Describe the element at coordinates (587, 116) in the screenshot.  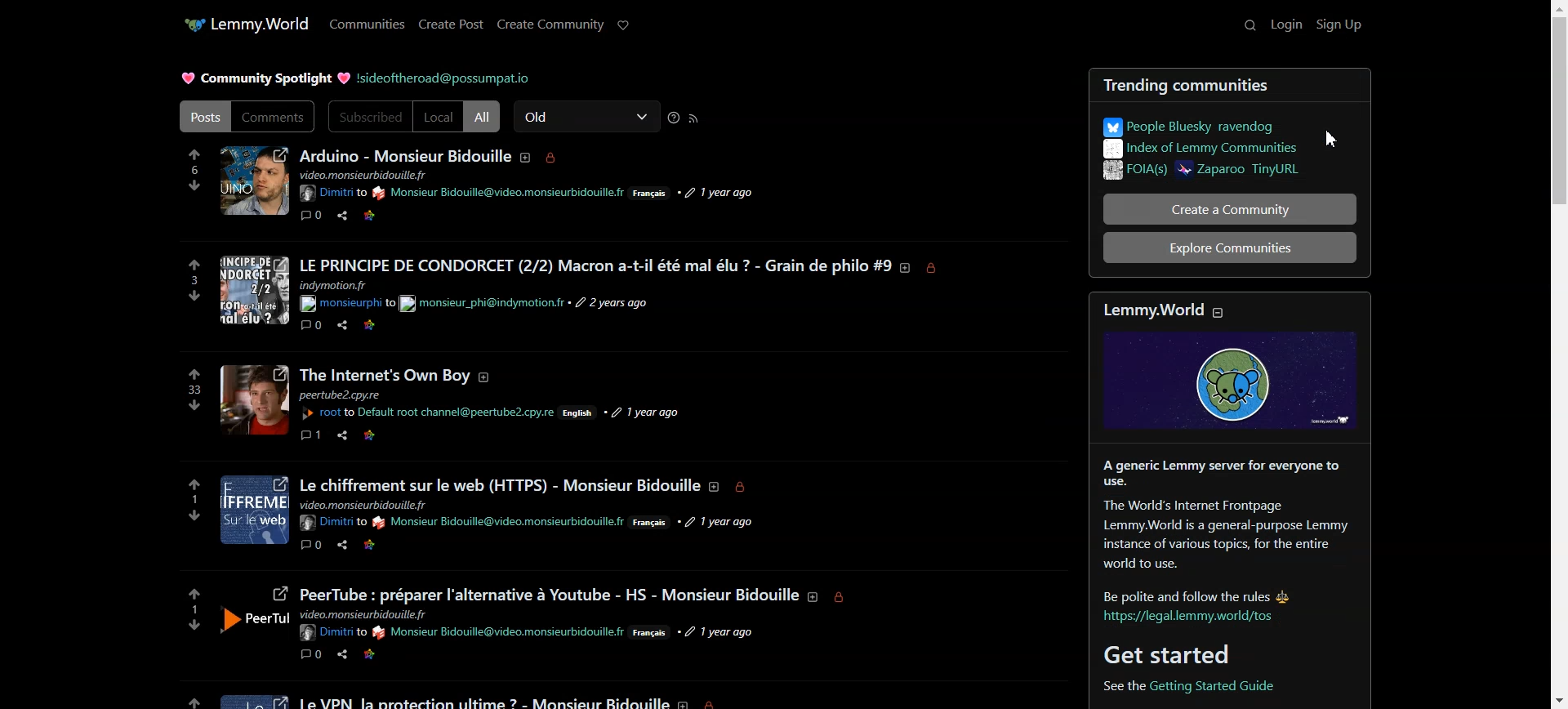
I see `Old` at that location.